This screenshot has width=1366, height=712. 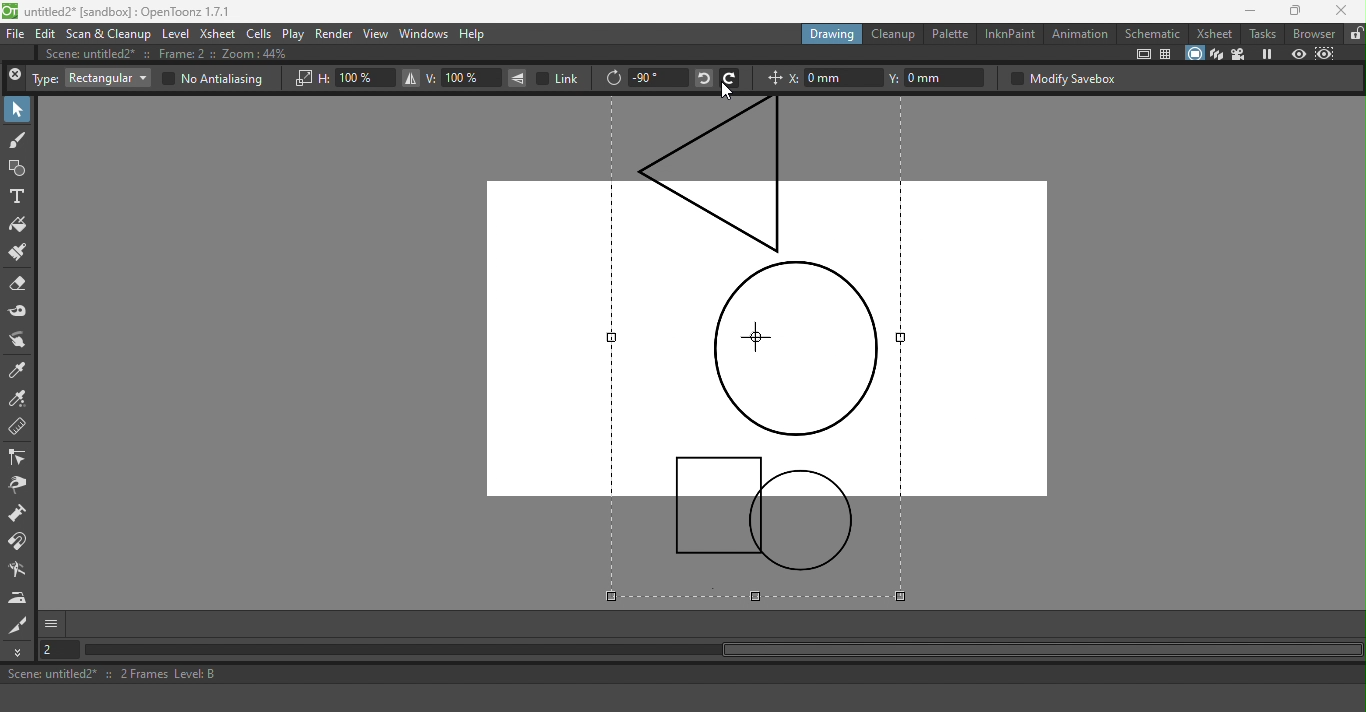 What do you see at coordinates (16, 35) in the screenshot?
I see `File` at bounding box center [16, 35].